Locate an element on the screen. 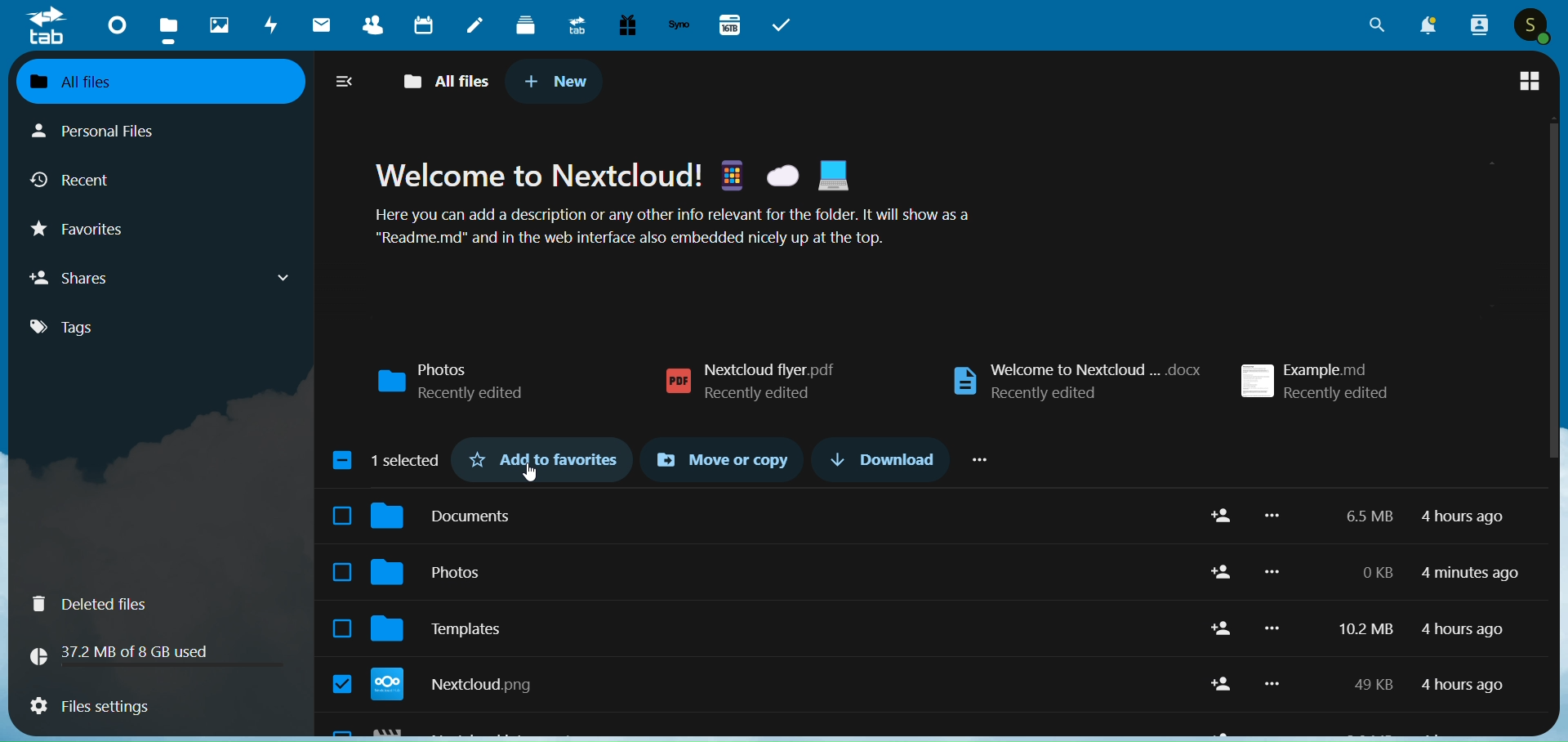 The image size is (1568, 742). Documents is located at coordinates (782, 516).